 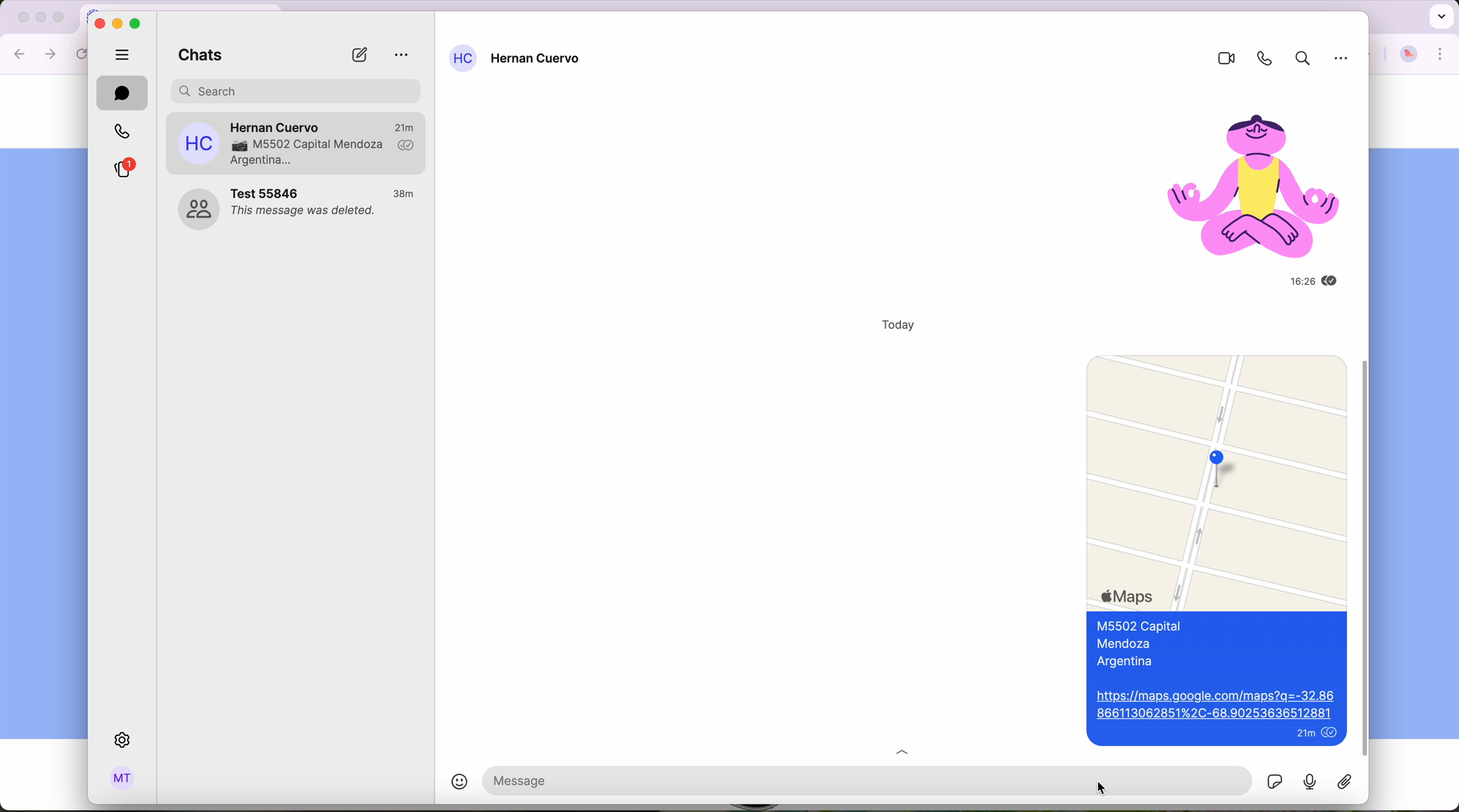 I want to click on search, so click(x=1300, y=60).